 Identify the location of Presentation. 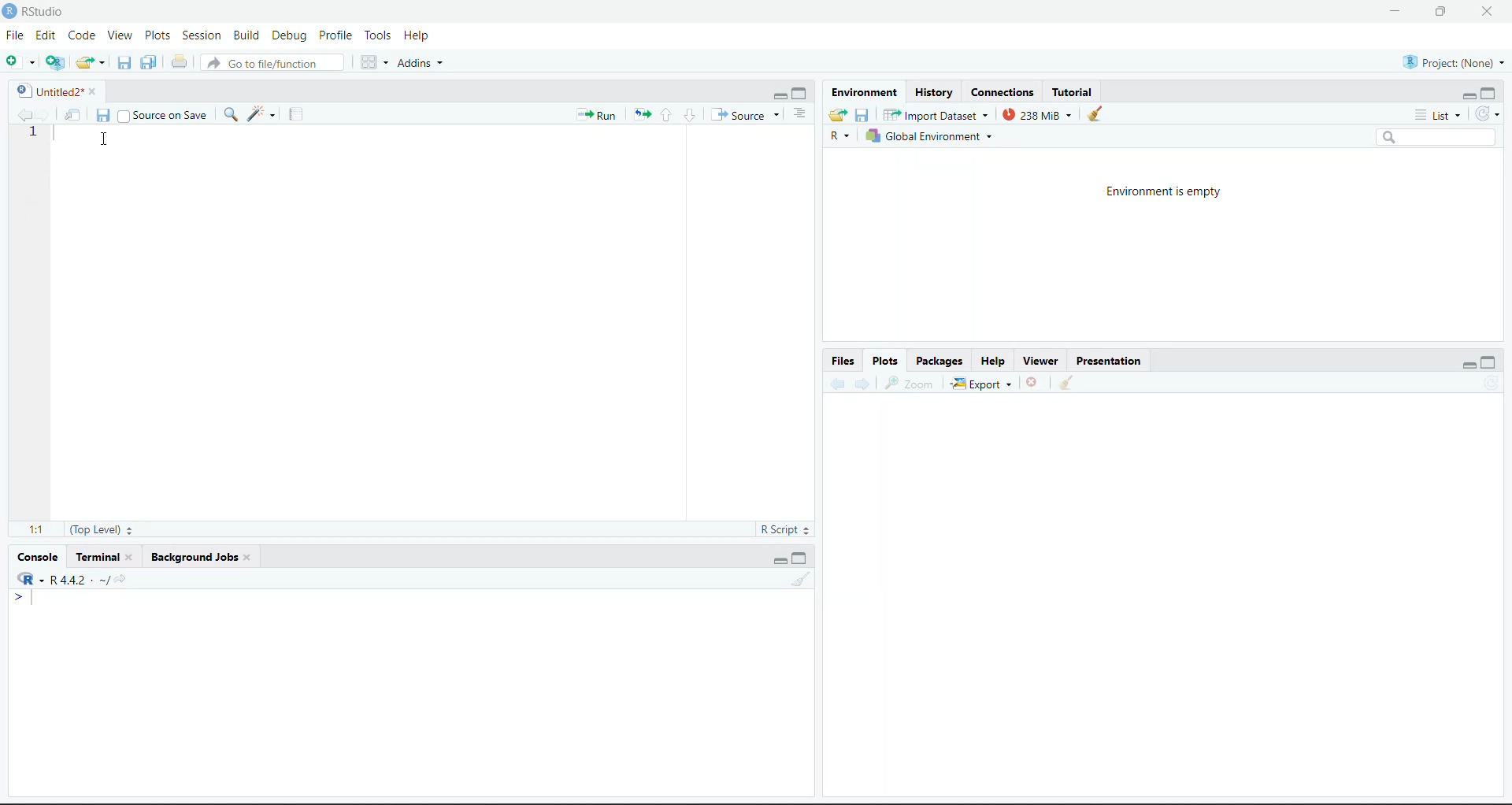
(1109, 361).